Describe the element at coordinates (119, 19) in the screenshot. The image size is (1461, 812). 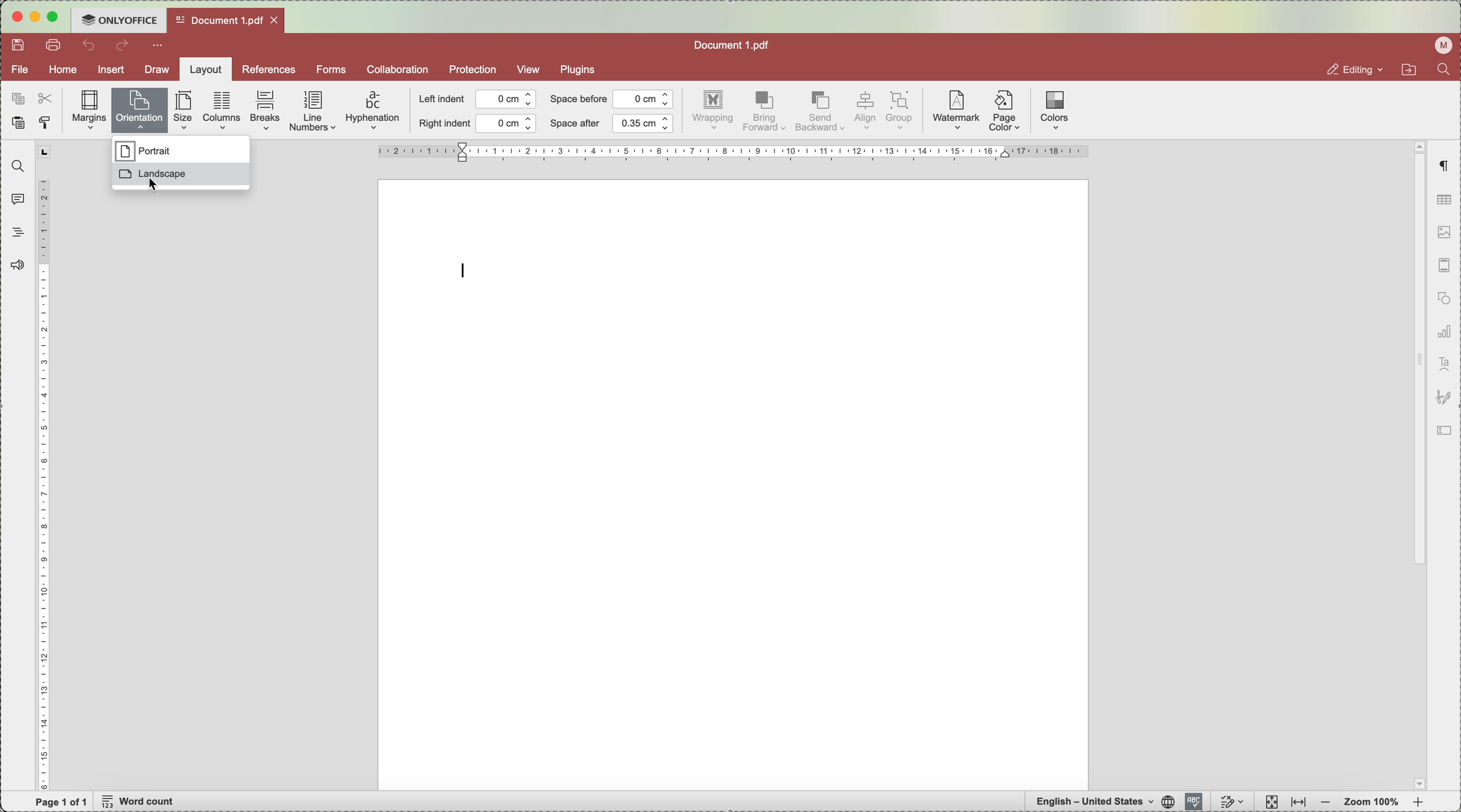
I see `Only office` at that location.